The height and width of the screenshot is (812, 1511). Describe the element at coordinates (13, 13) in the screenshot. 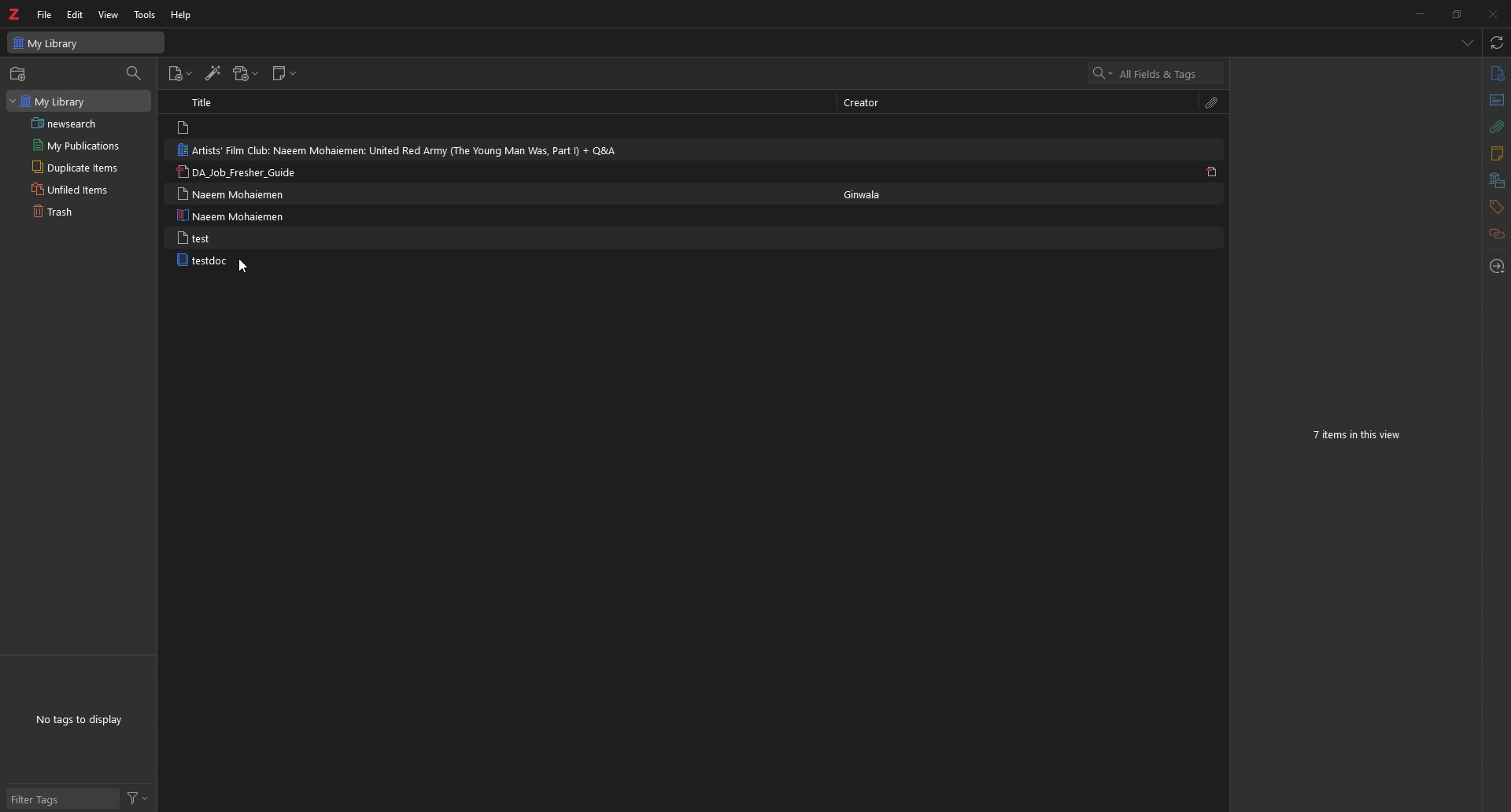

I see `Logo` at that location.